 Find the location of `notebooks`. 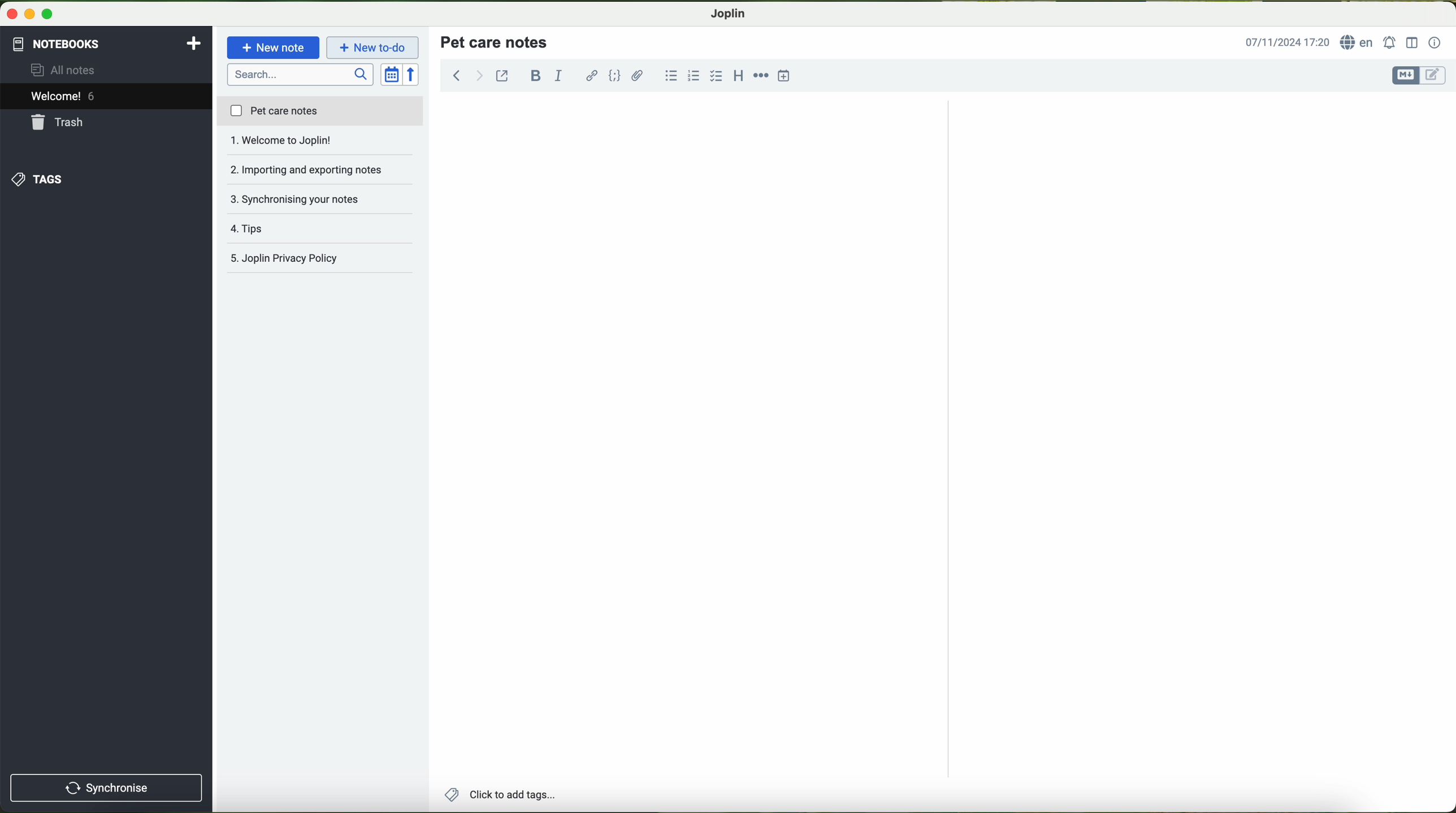

notebooks is located at coordinates (55, 42).